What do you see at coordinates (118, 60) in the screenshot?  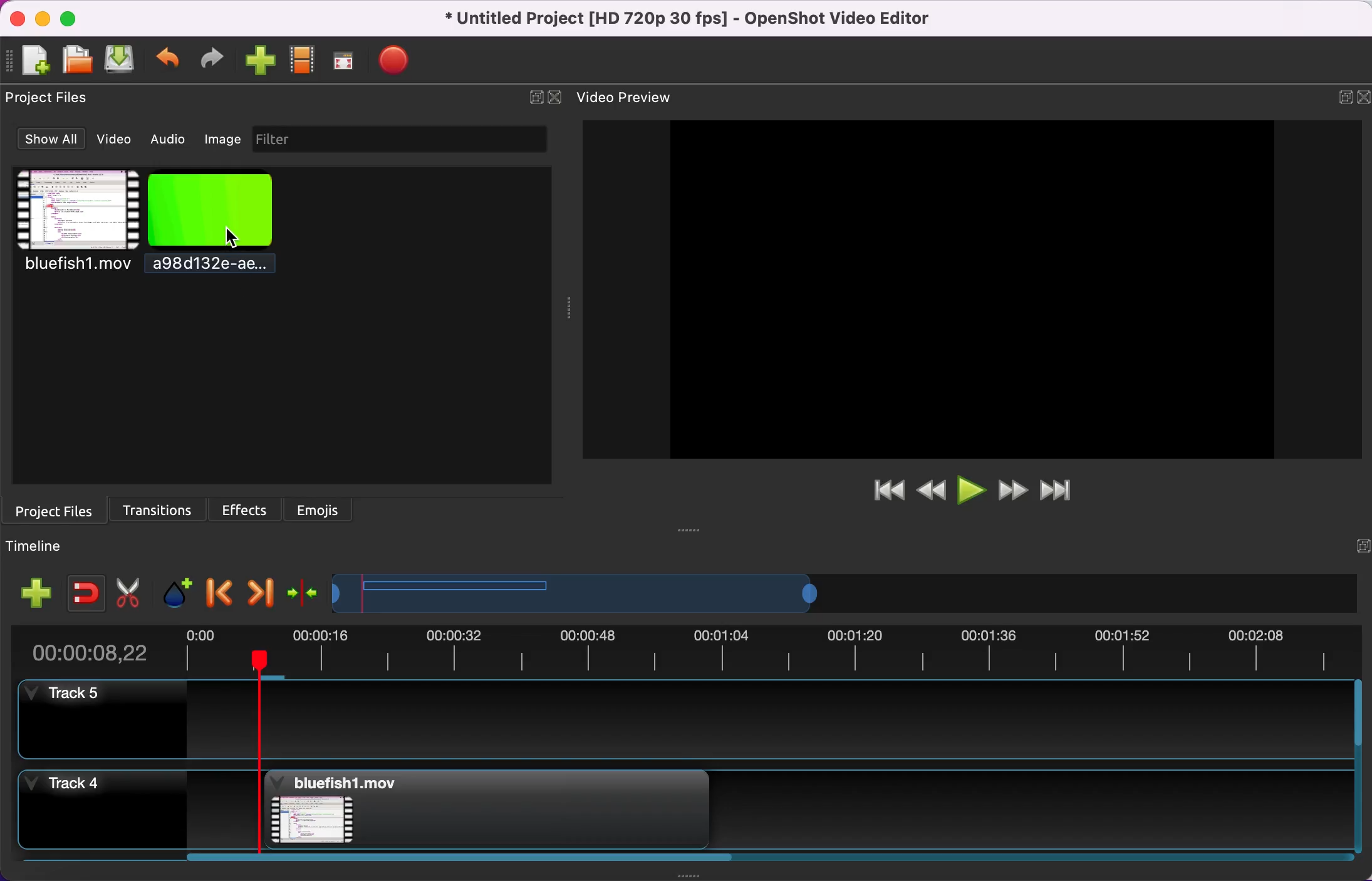 I see `save file` at bounding box center [118, 60].